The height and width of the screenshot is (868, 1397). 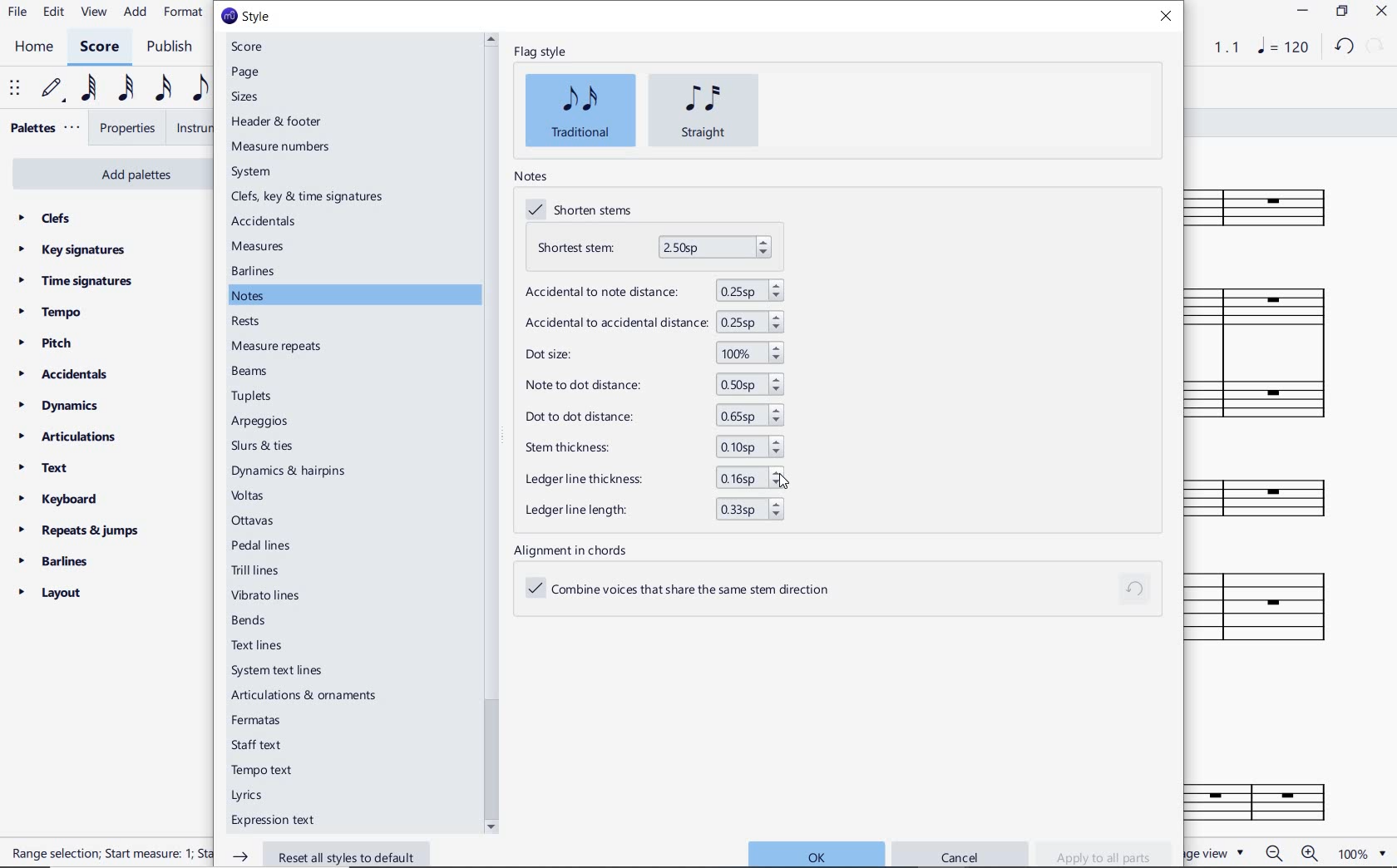 I want to click on reset all styles to default, so click(x=327, y=855).